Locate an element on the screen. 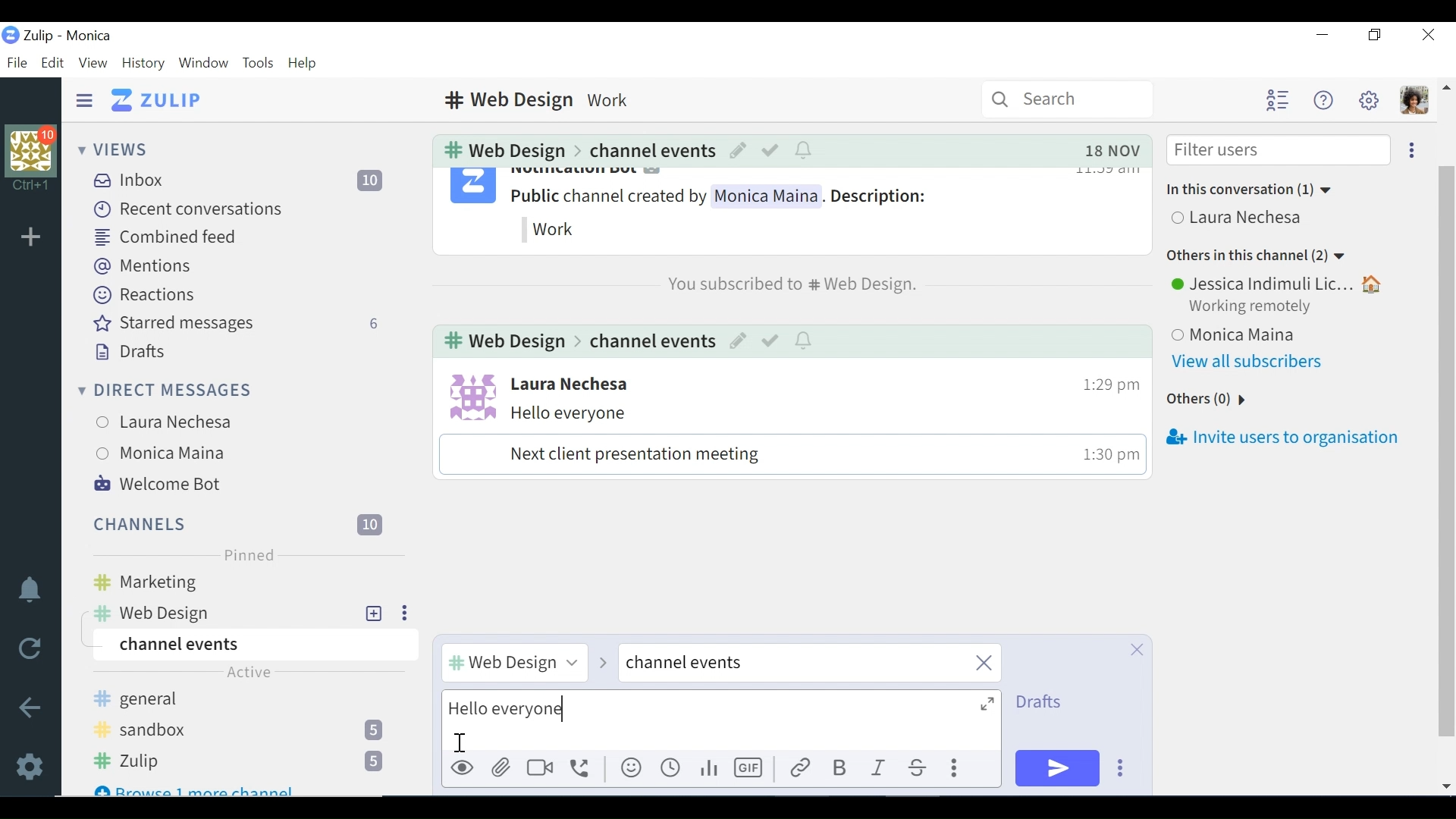 The image size is (1456, 819). Edit is located at coordinates (739, 342).